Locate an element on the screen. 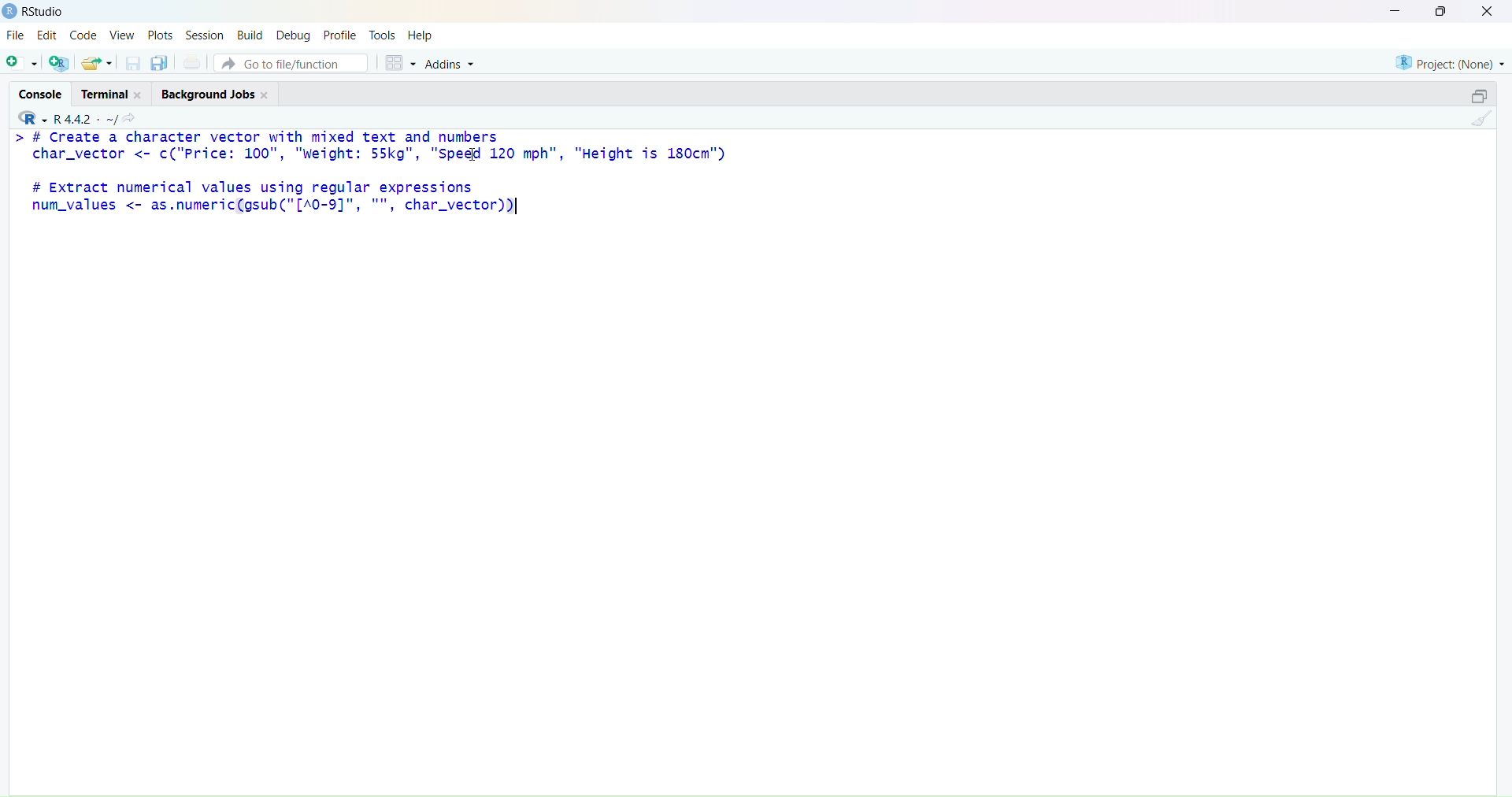 The width and height of the screenshot is (1512, 797). Addins is located at coordinates (451, 65).